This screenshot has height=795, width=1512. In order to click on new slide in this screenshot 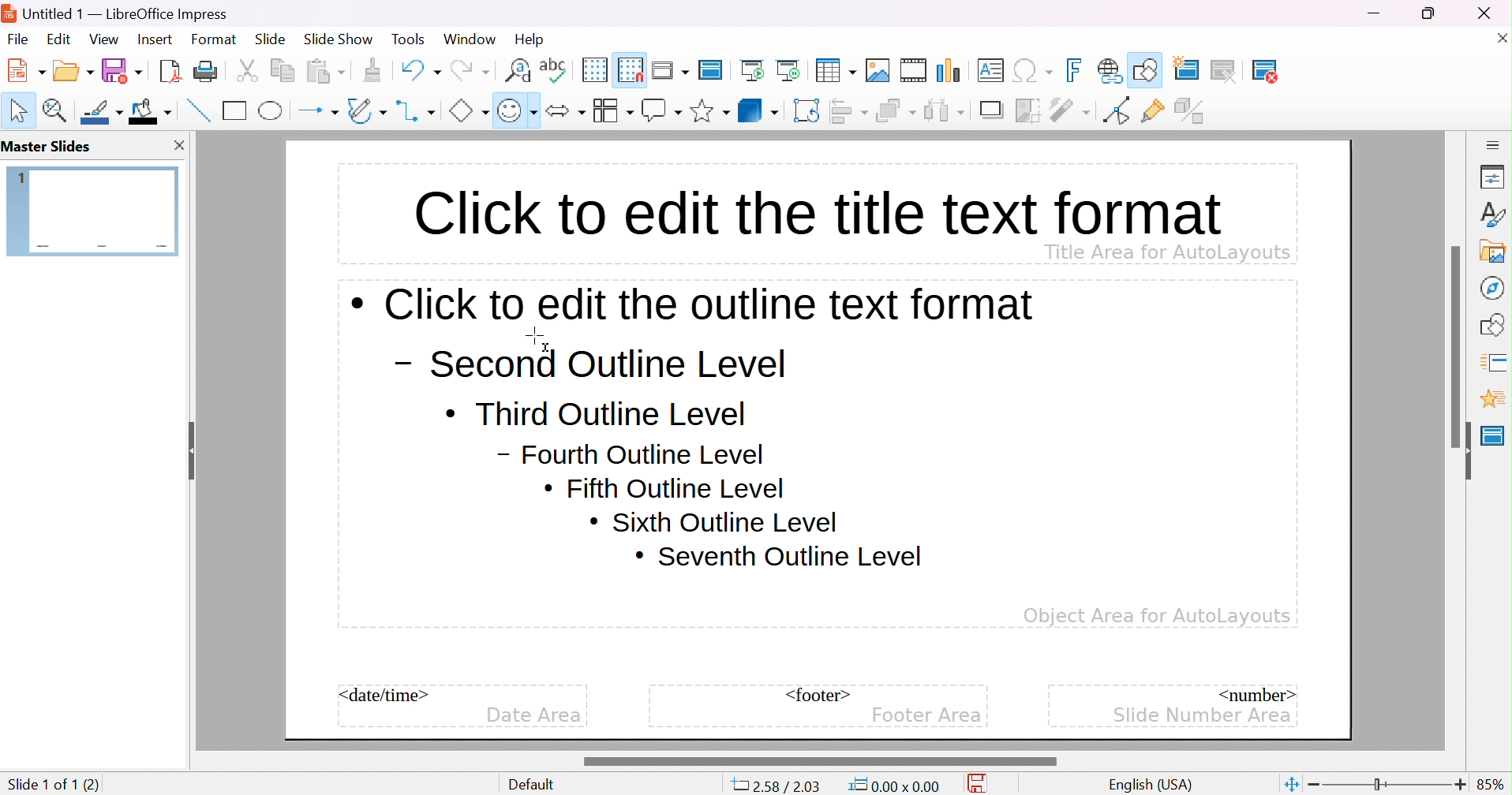, I will do `click(1196, 68)`.